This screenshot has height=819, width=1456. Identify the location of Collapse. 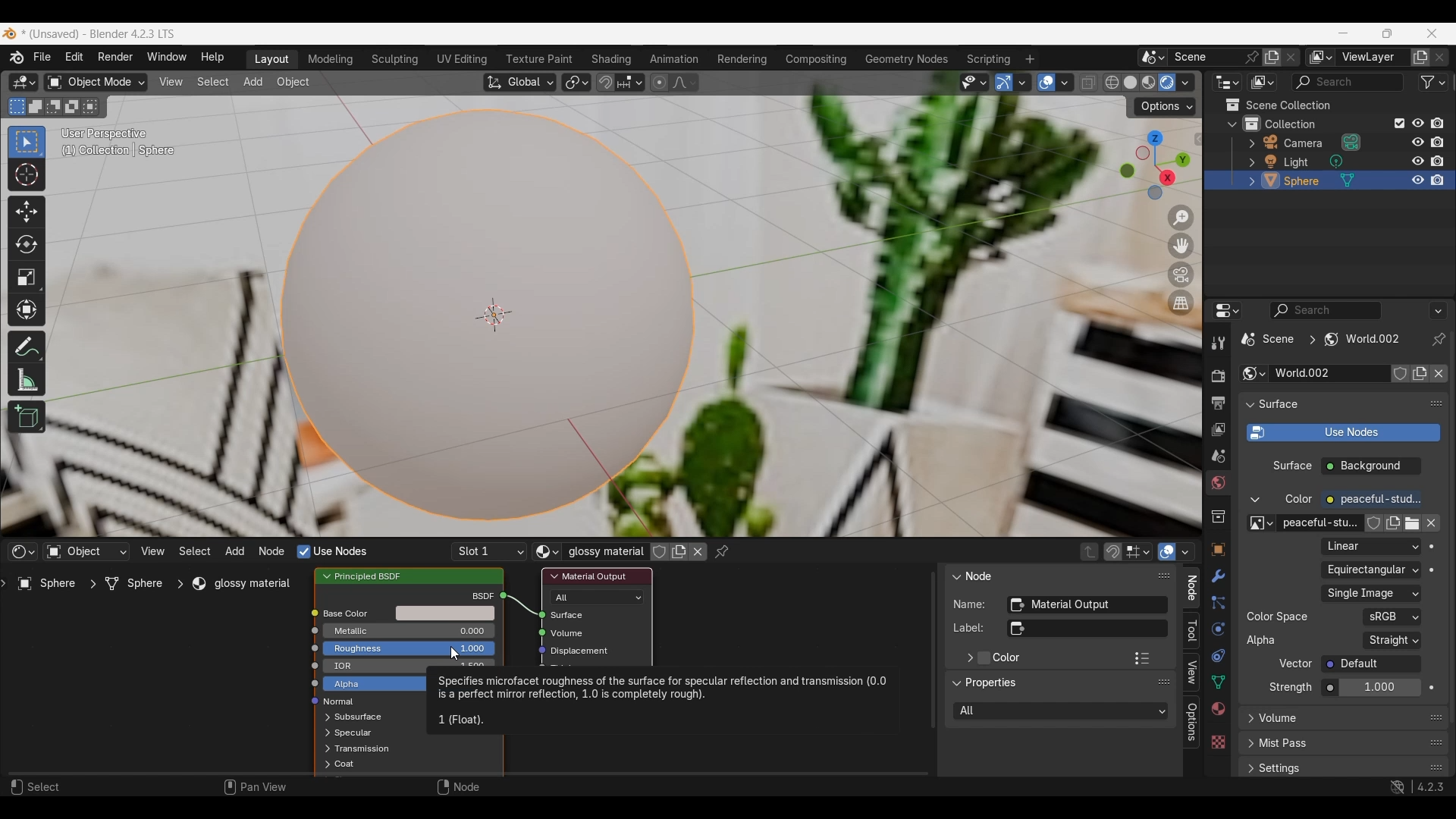
(1255, 500).